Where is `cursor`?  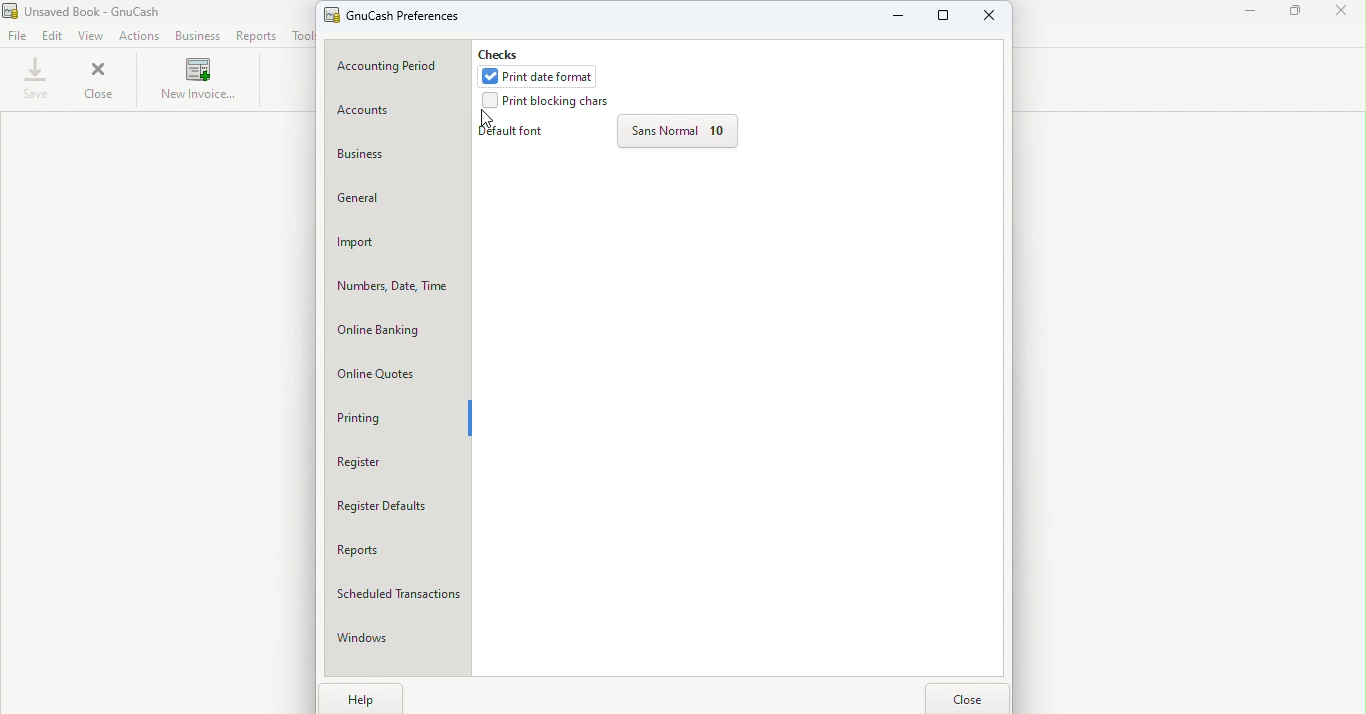 cursor is located at coordinates (489, 121).